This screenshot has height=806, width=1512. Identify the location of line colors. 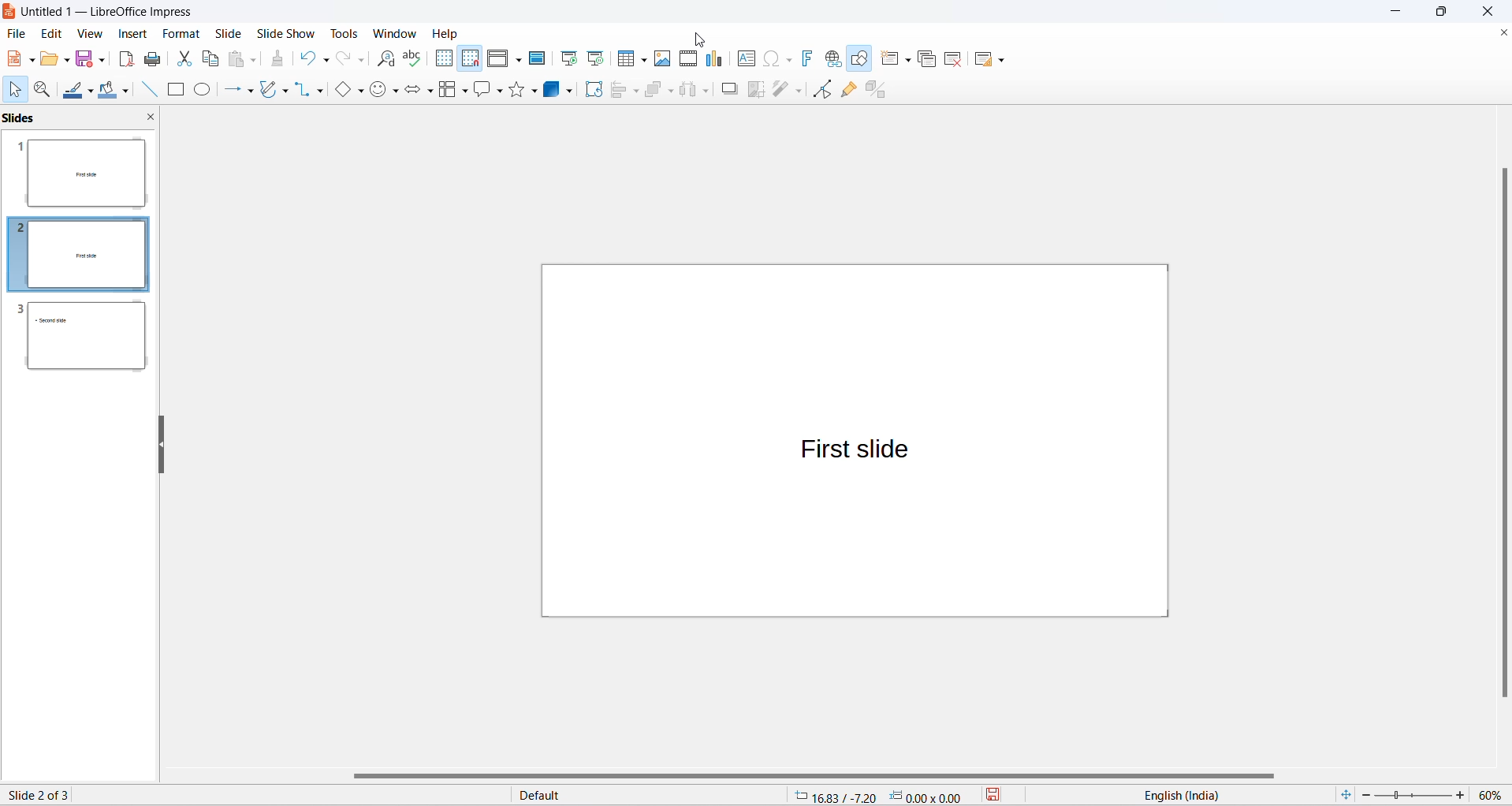
(68, 88).